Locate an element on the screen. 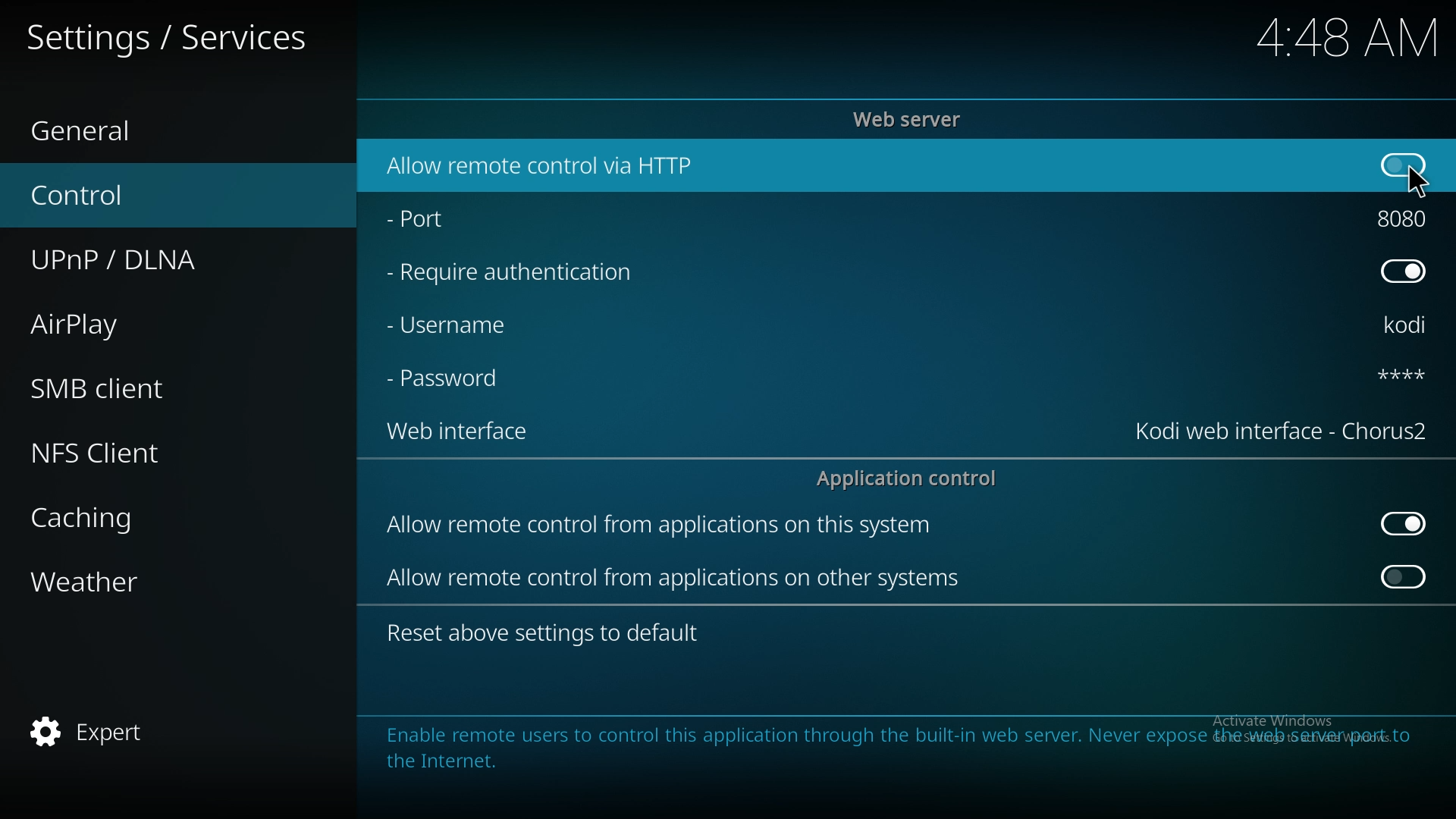 Image resolution: width=1456 pixels, height=819 pixels. username is located at coordinates (457, 329).